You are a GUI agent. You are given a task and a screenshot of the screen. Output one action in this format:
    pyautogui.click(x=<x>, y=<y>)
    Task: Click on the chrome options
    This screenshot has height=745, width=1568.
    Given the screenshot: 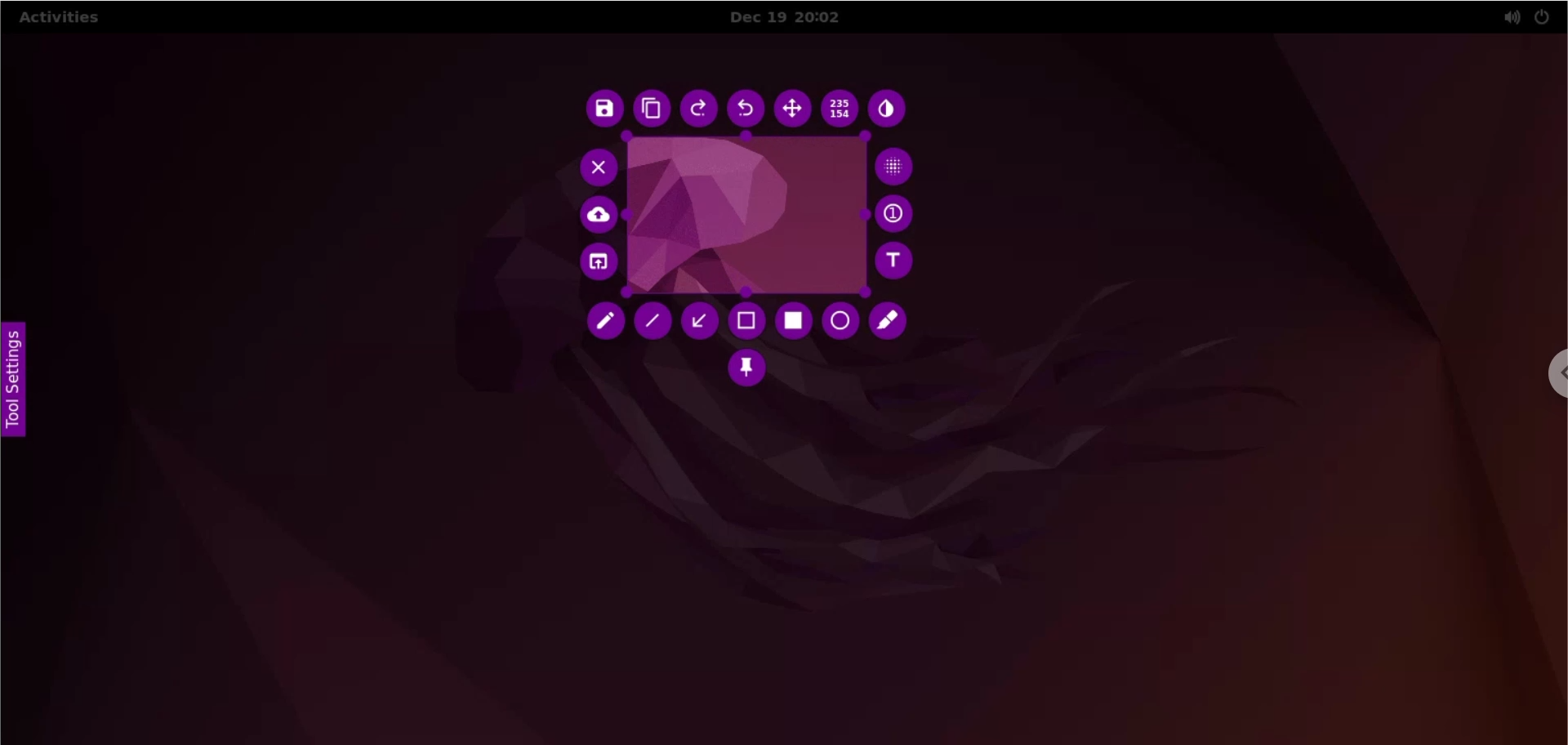 What is the action you would take?
    pyautogui.click(x=1552, y=377)
    